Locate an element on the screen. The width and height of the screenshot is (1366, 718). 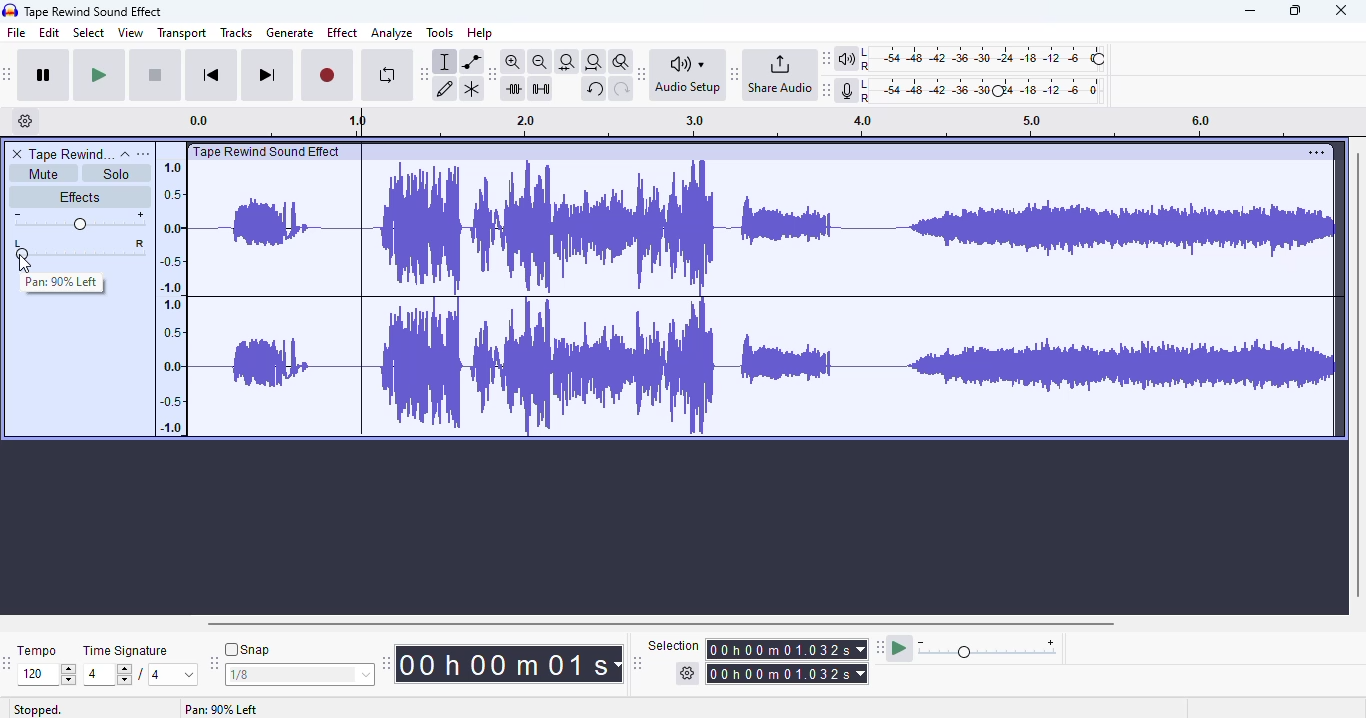
audacity snapping toolbar is located at coordinates (213, 662).